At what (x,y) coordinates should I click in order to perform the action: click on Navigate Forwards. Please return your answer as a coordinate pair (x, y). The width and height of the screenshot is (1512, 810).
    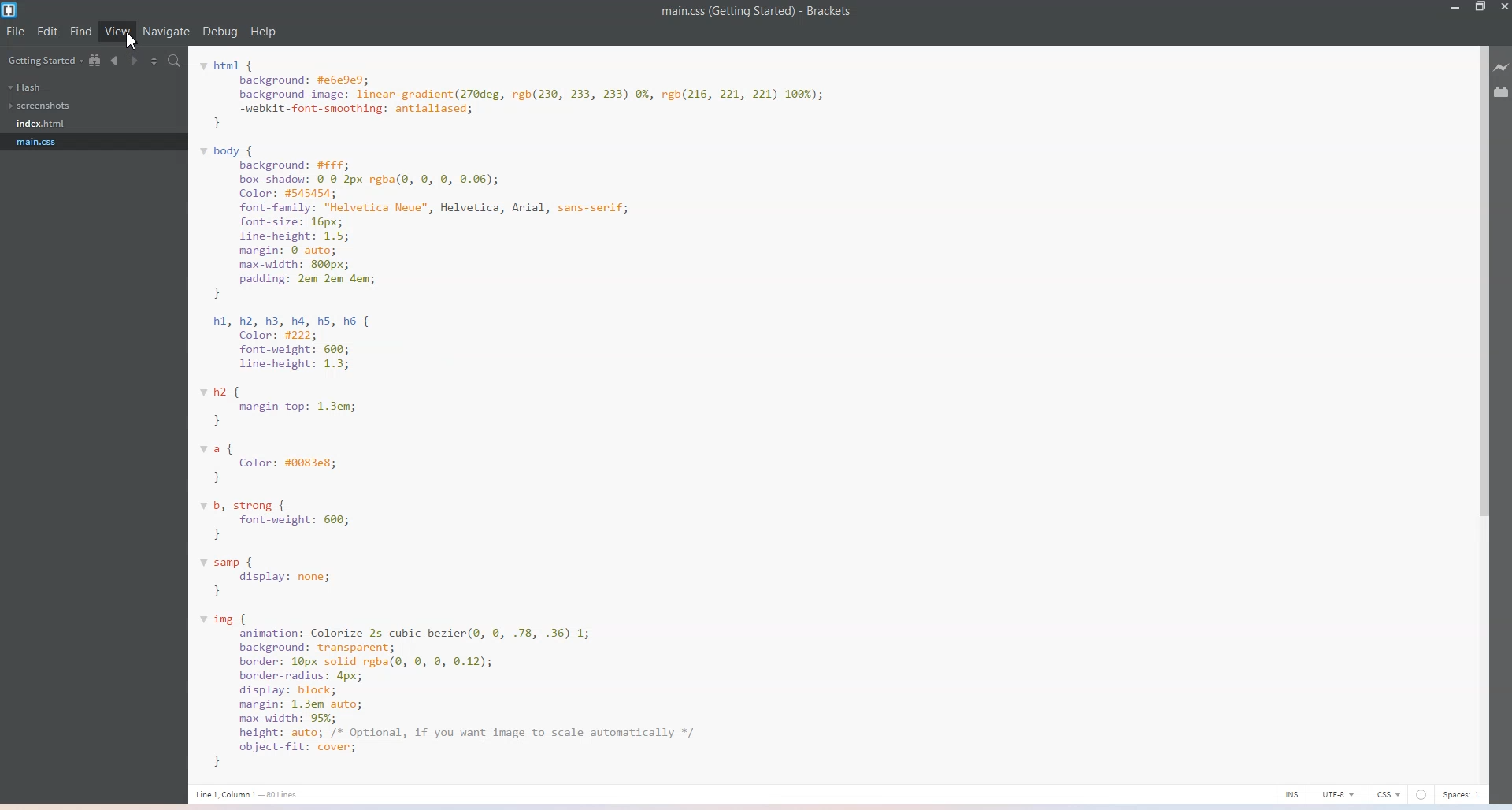
    Looking at the image, I should click on (132, 61).